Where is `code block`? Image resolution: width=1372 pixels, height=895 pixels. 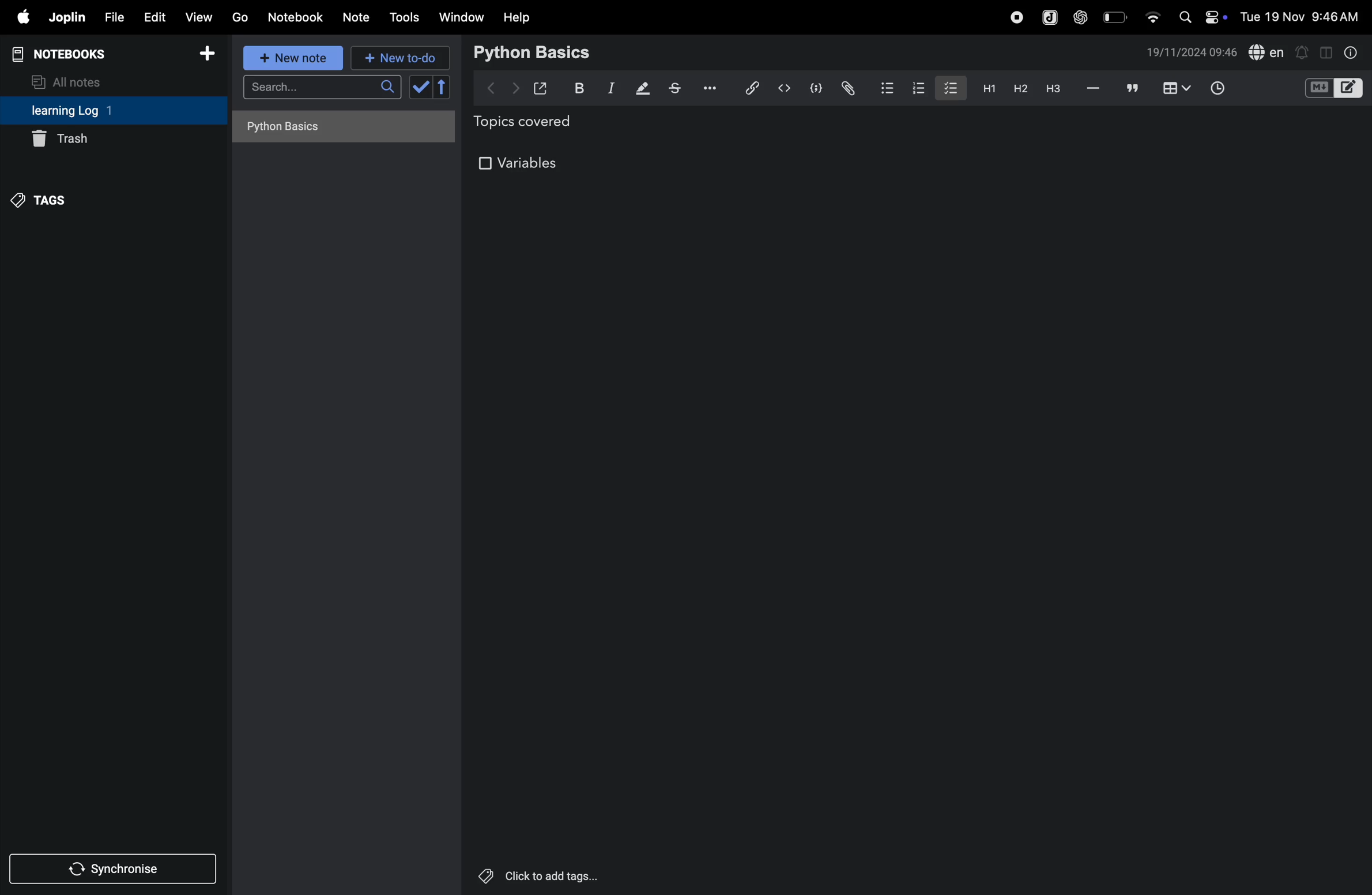
code block is located at coordinates (1333, 89).